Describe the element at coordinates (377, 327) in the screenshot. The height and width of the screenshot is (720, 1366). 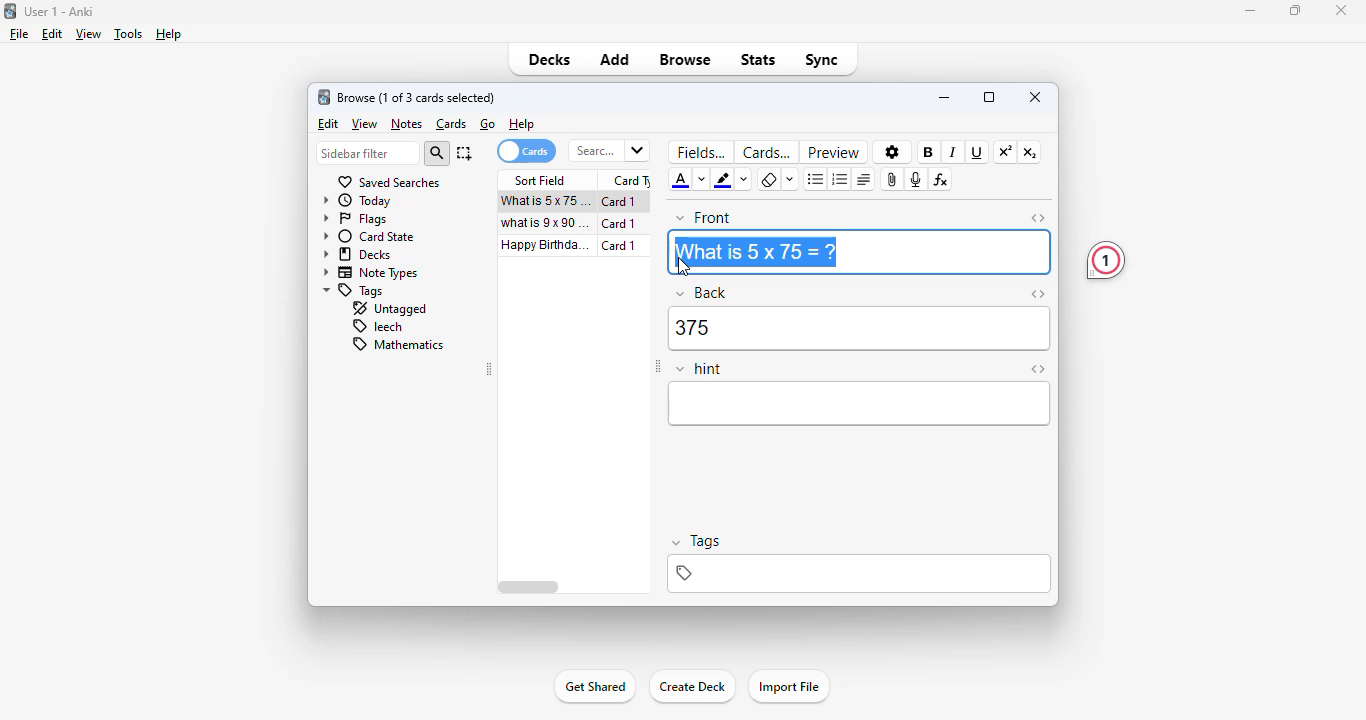
I see `leech` at that location.